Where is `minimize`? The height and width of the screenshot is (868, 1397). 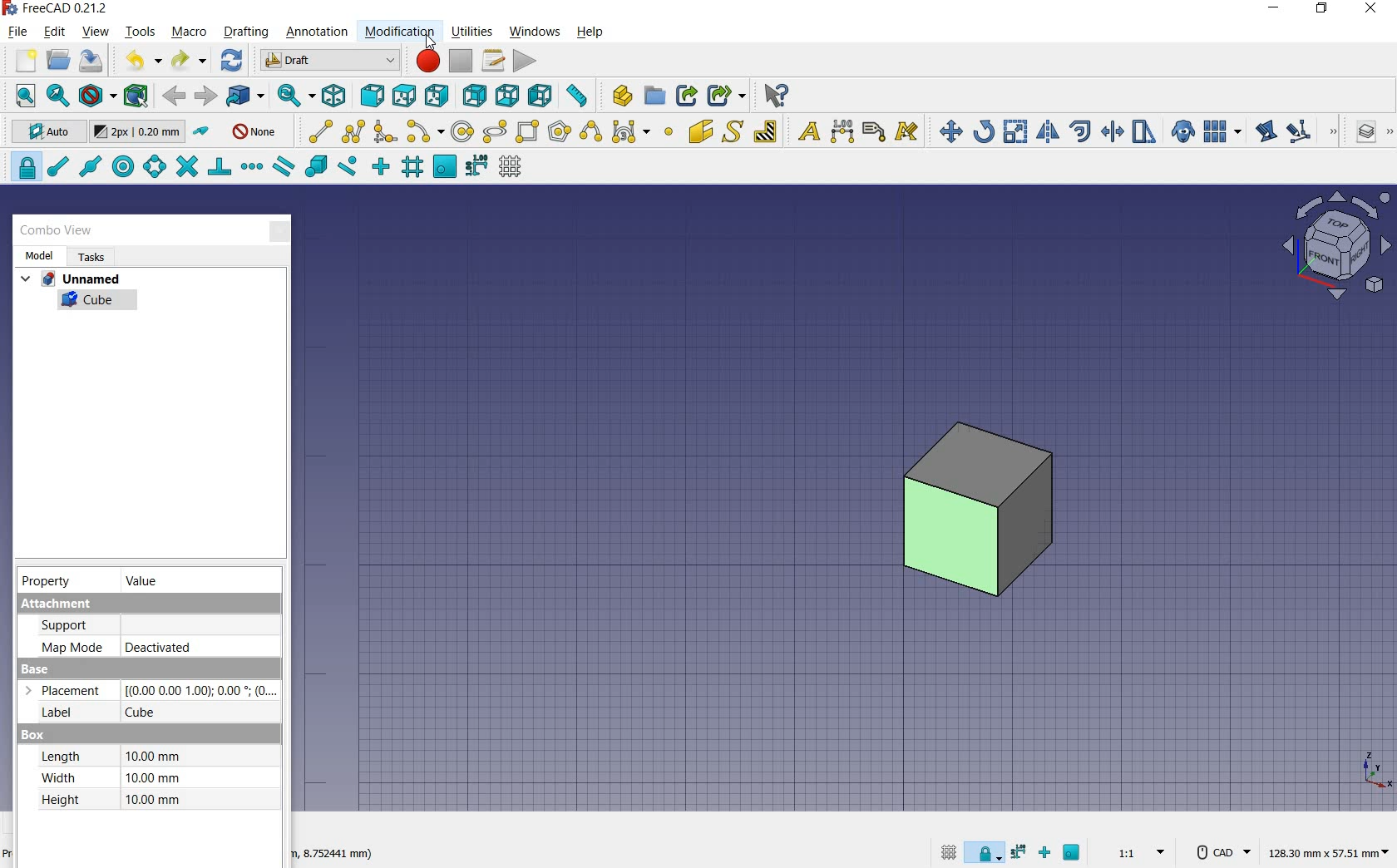 minimize is located at coordinates (1275, 10).